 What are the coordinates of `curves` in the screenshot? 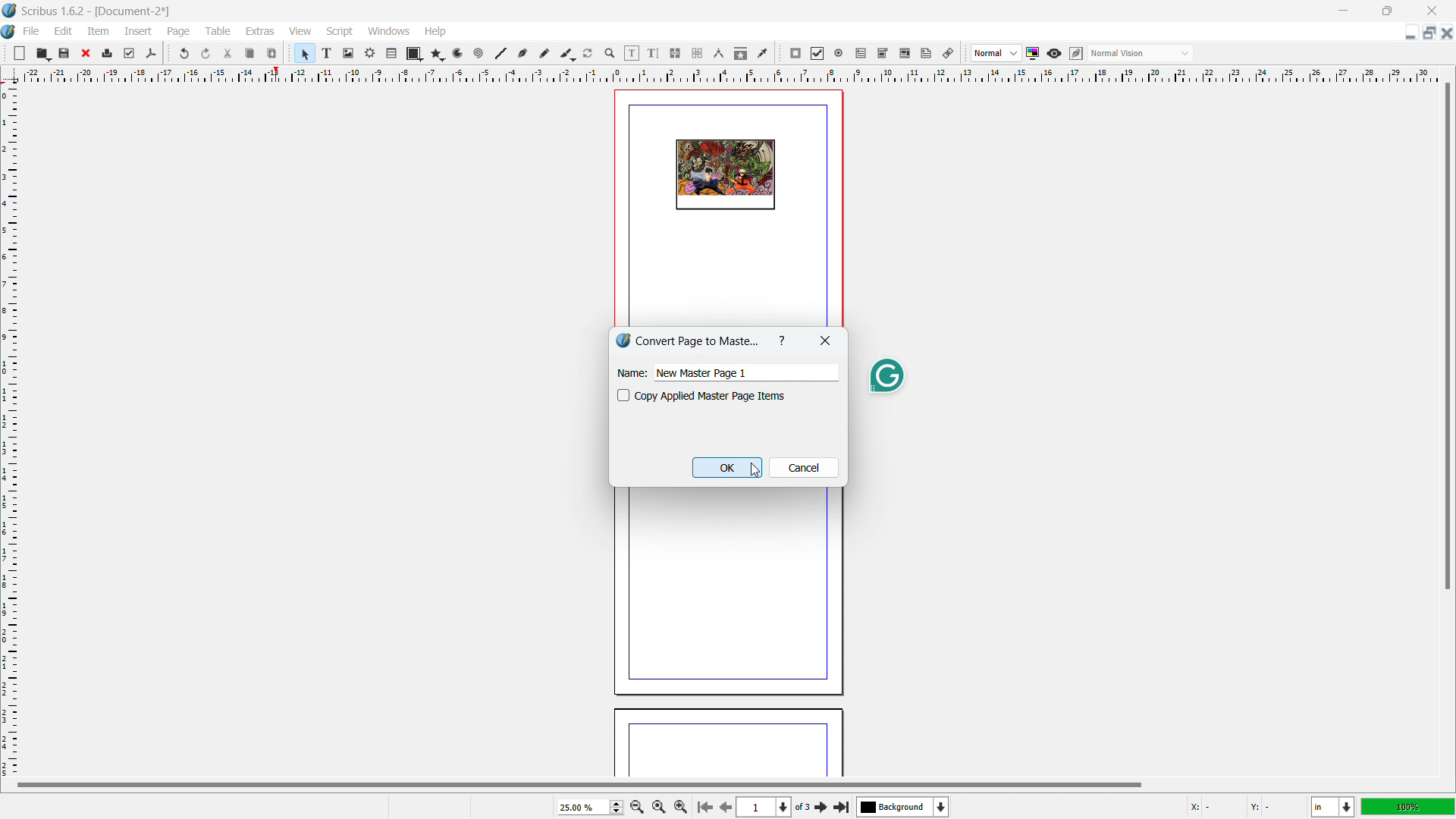 It's located at (460, 54).